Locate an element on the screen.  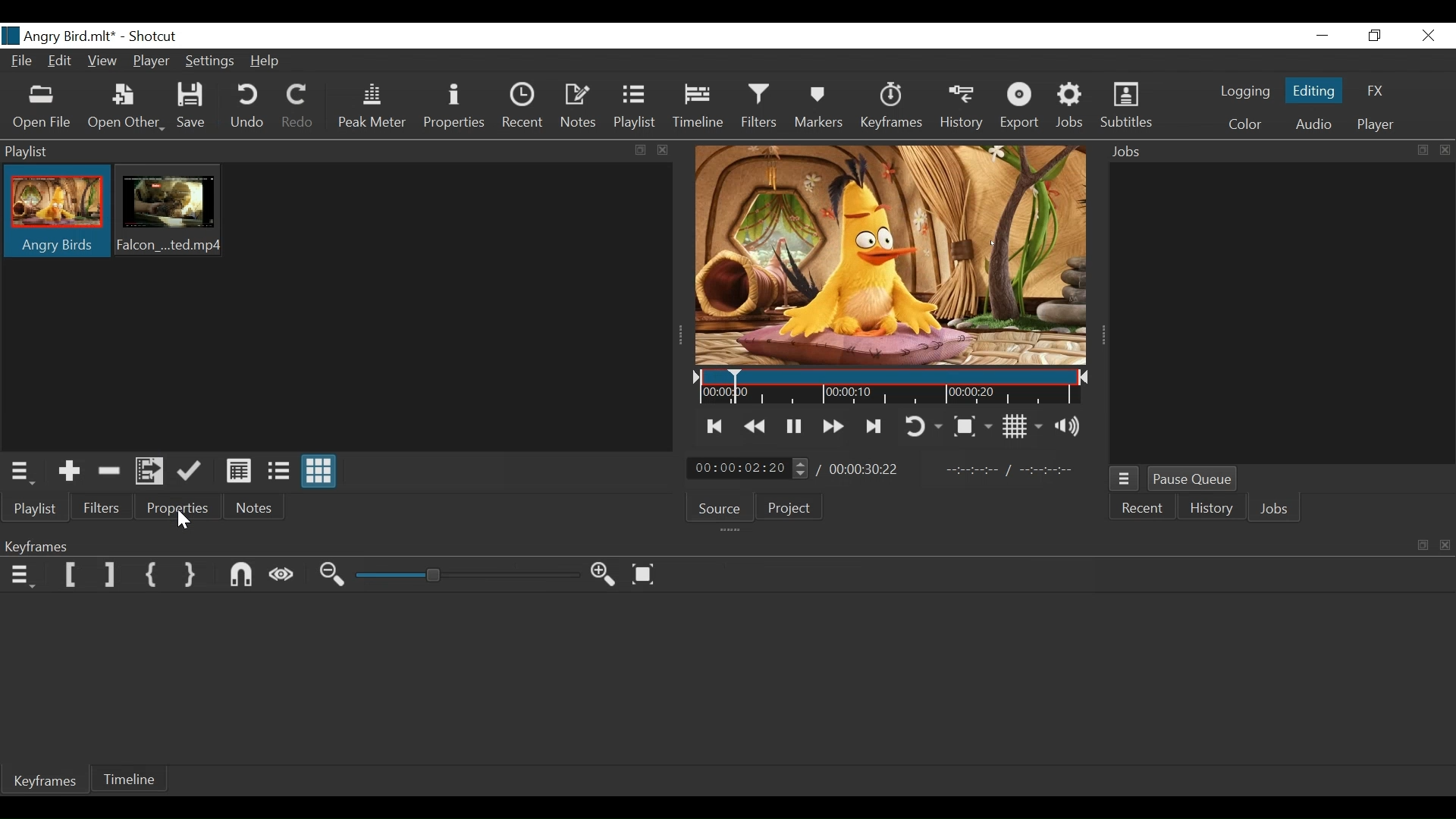
Current Position is located at coordinates (748, 467).